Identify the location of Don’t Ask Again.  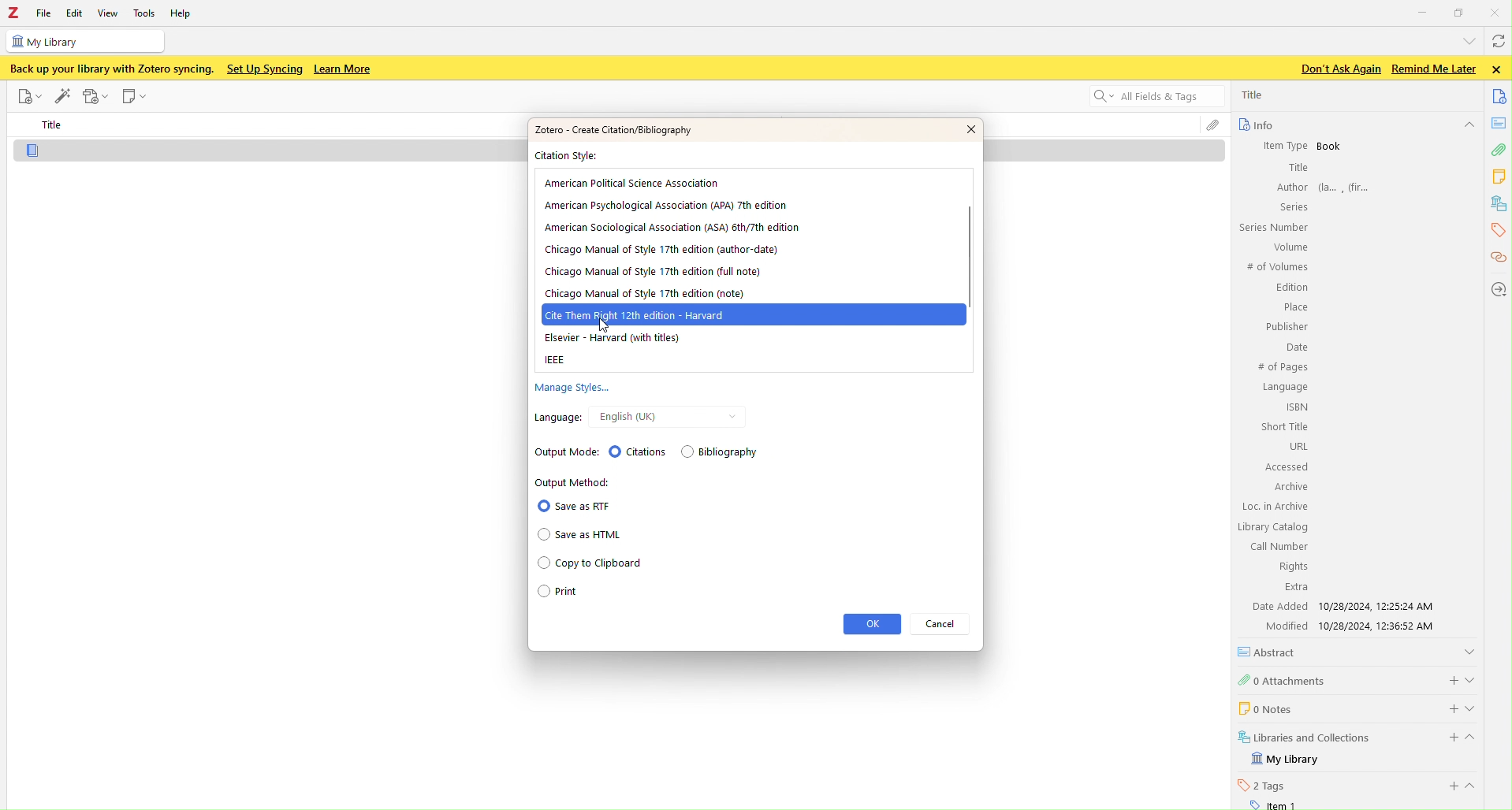
(1336, 69).